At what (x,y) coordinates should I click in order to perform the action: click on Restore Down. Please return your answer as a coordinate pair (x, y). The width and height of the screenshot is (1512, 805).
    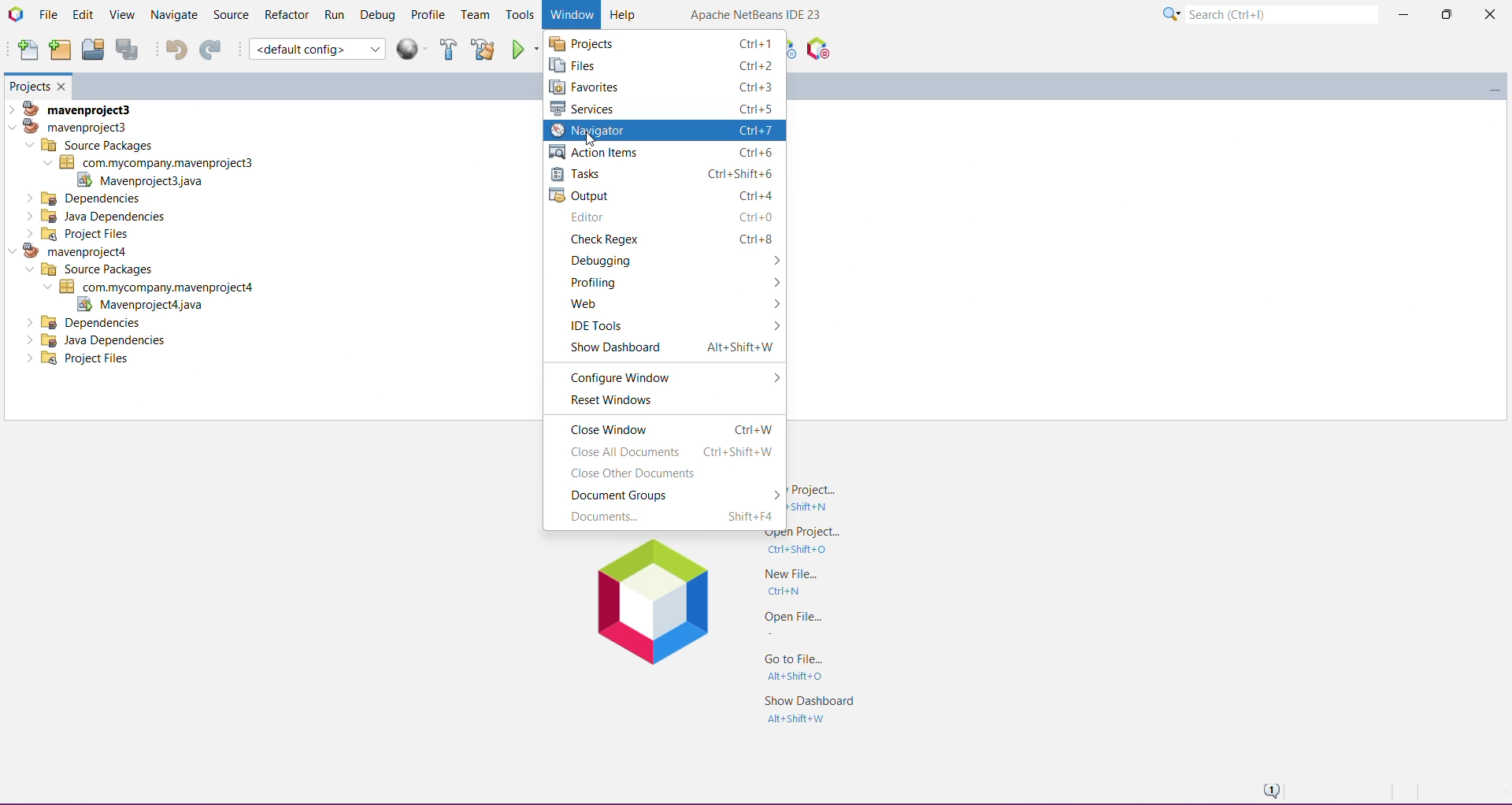
    Looking at the image, I should click on (1444, 14).